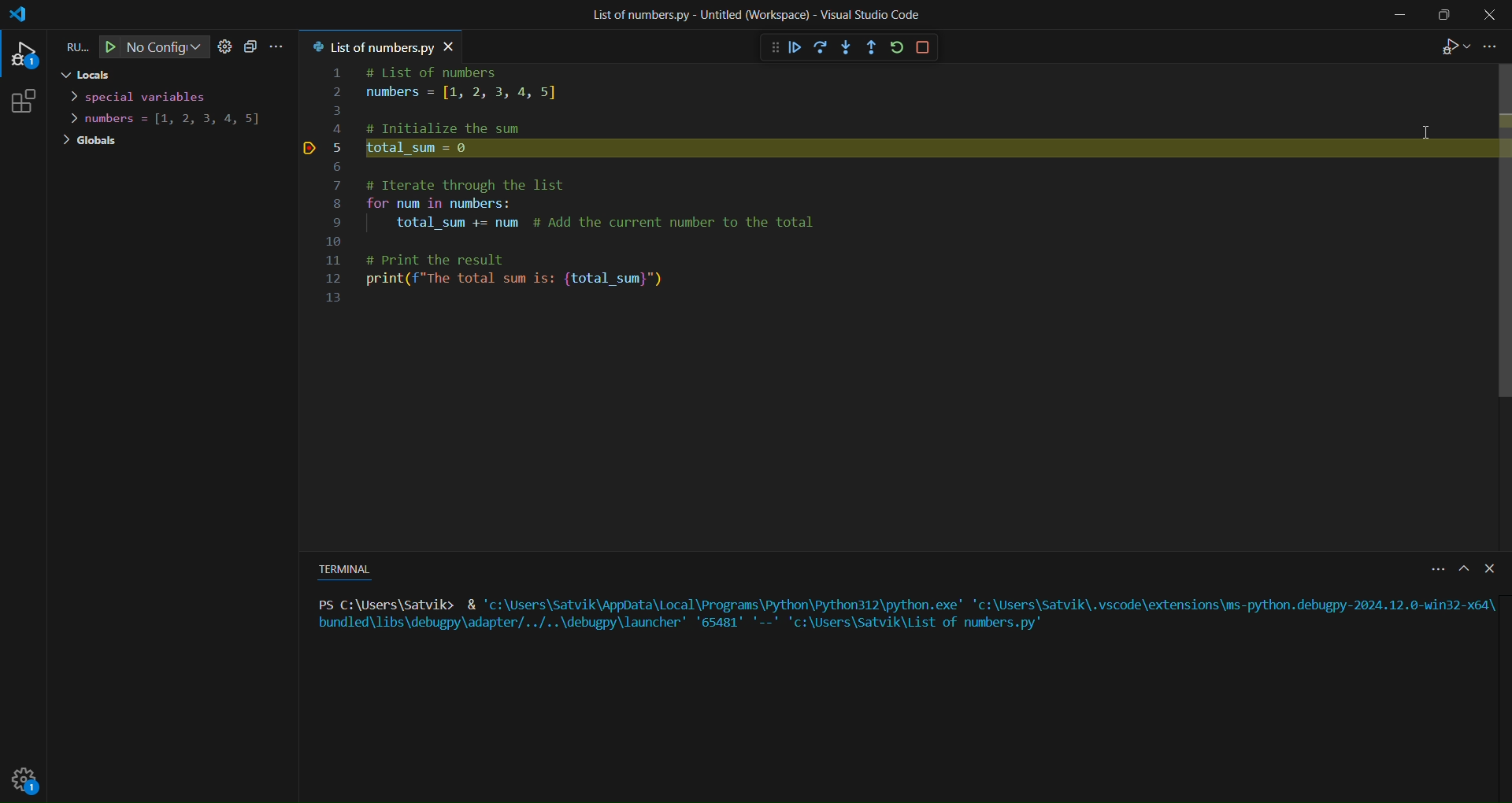 The image size is (1512, 803). What do you see at coordinates (902, 612) in the screenshot?
I see `instruction` at bounding box center [902, 612].